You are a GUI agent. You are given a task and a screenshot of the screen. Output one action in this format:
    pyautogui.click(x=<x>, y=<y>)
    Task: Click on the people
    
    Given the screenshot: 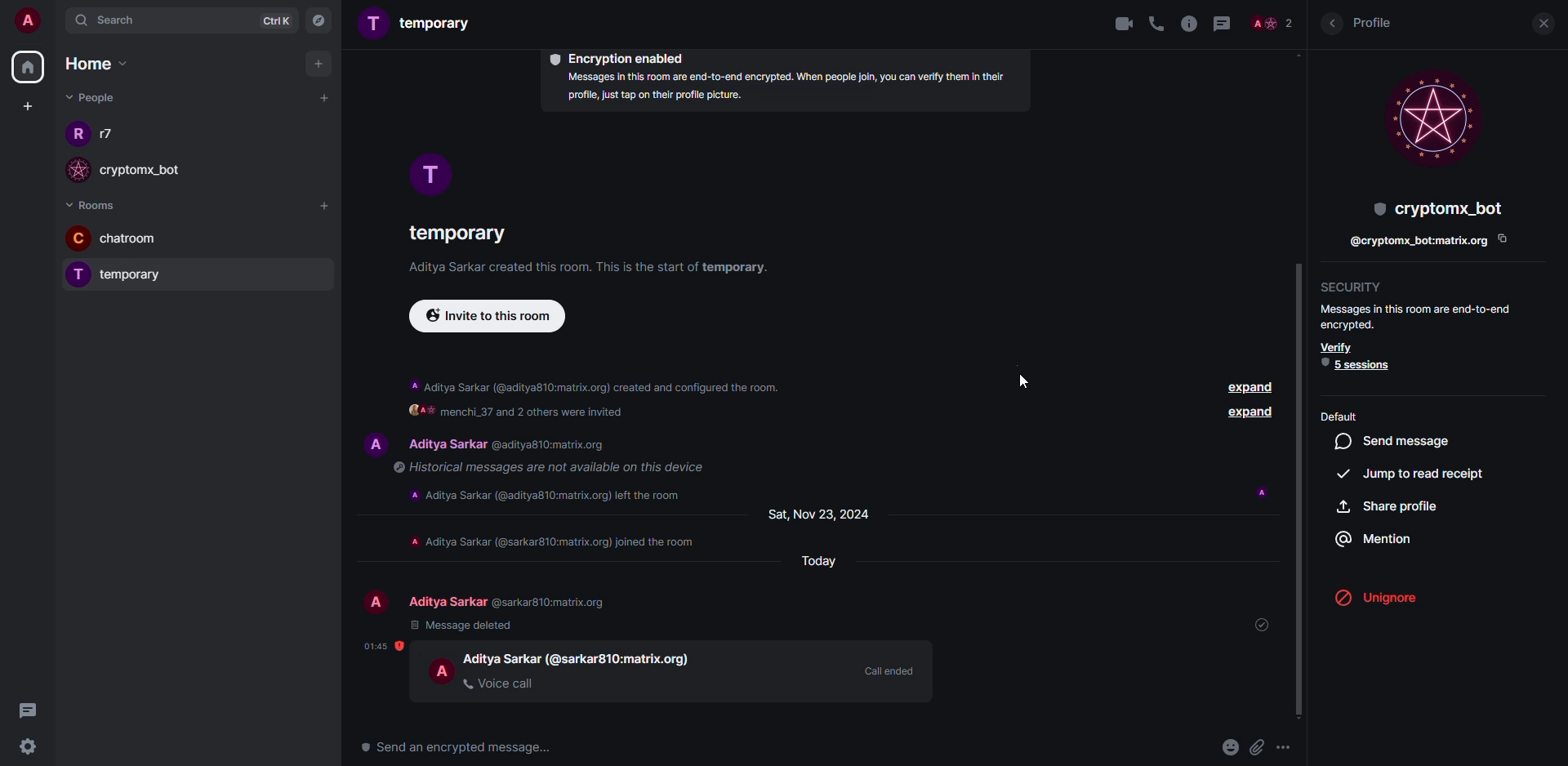 What is the action you would take?
    pyautogui.click(x=111, y=135)
    